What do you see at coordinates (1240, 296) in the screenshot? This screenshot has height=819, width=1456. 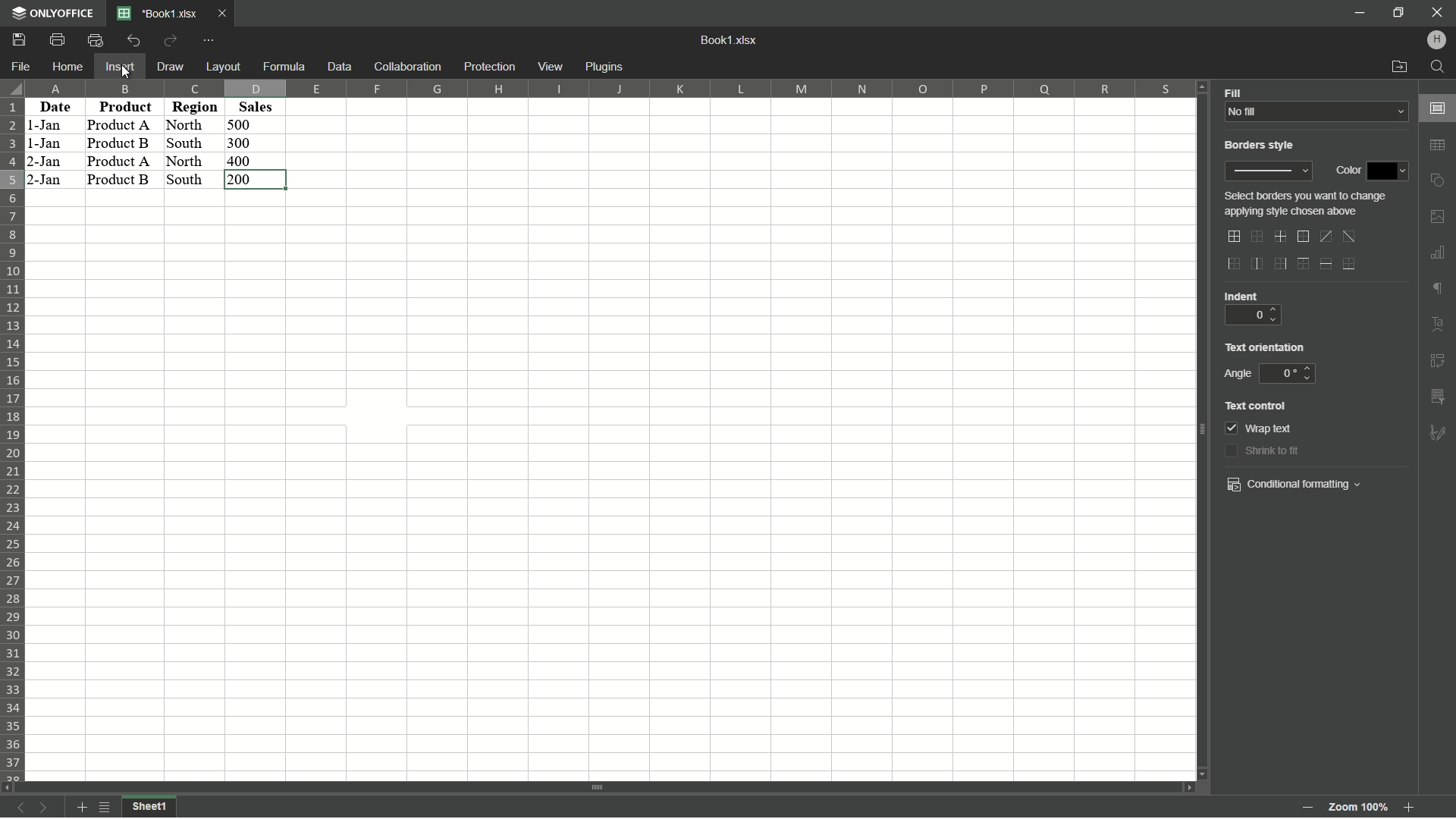 I see `indent` at bounding box center [1240, 296].